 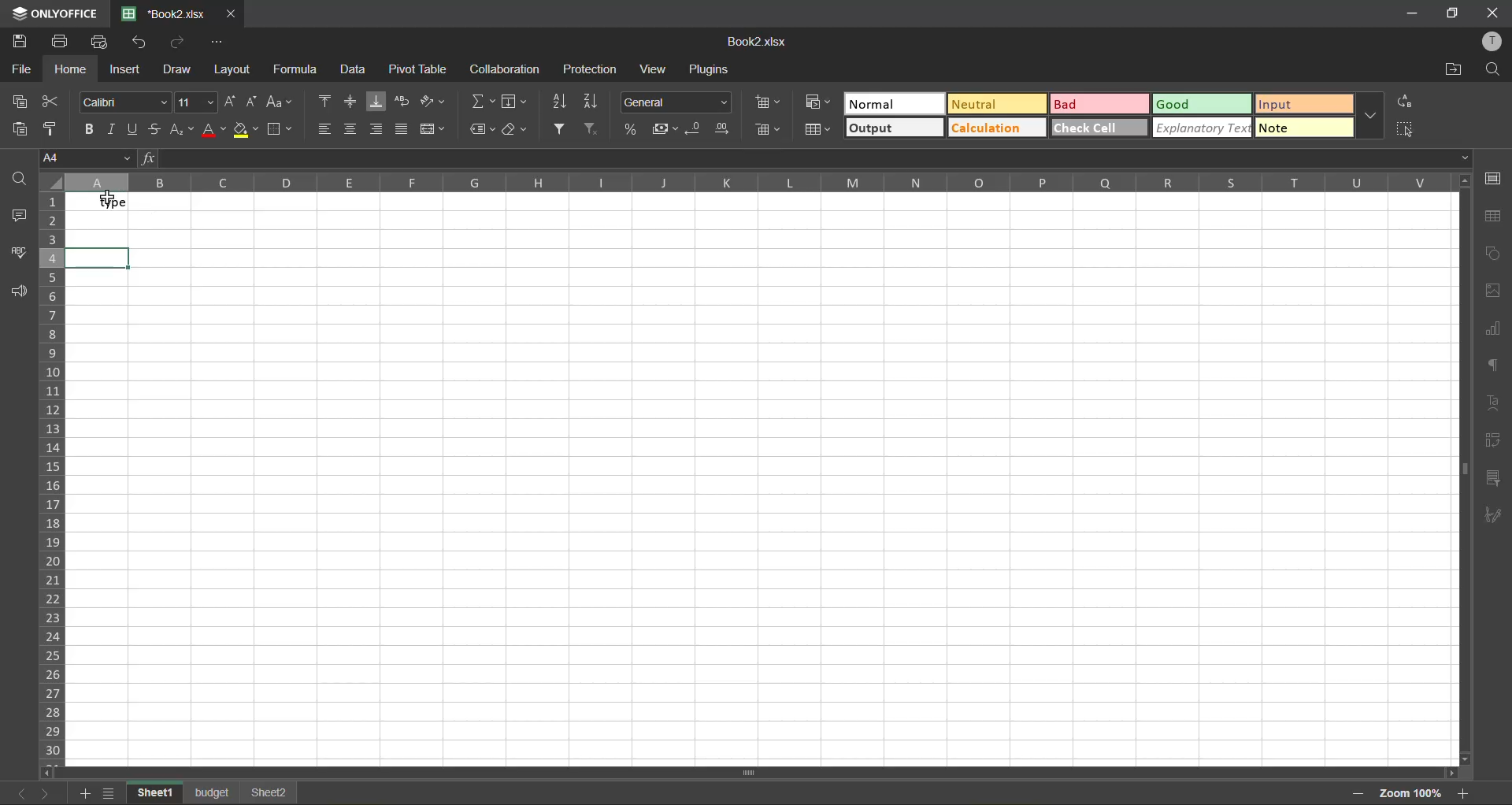 What do you see at coordinates (420, 71) in the screenshot?
I see `pivot table` at bounding box center [420, 71].